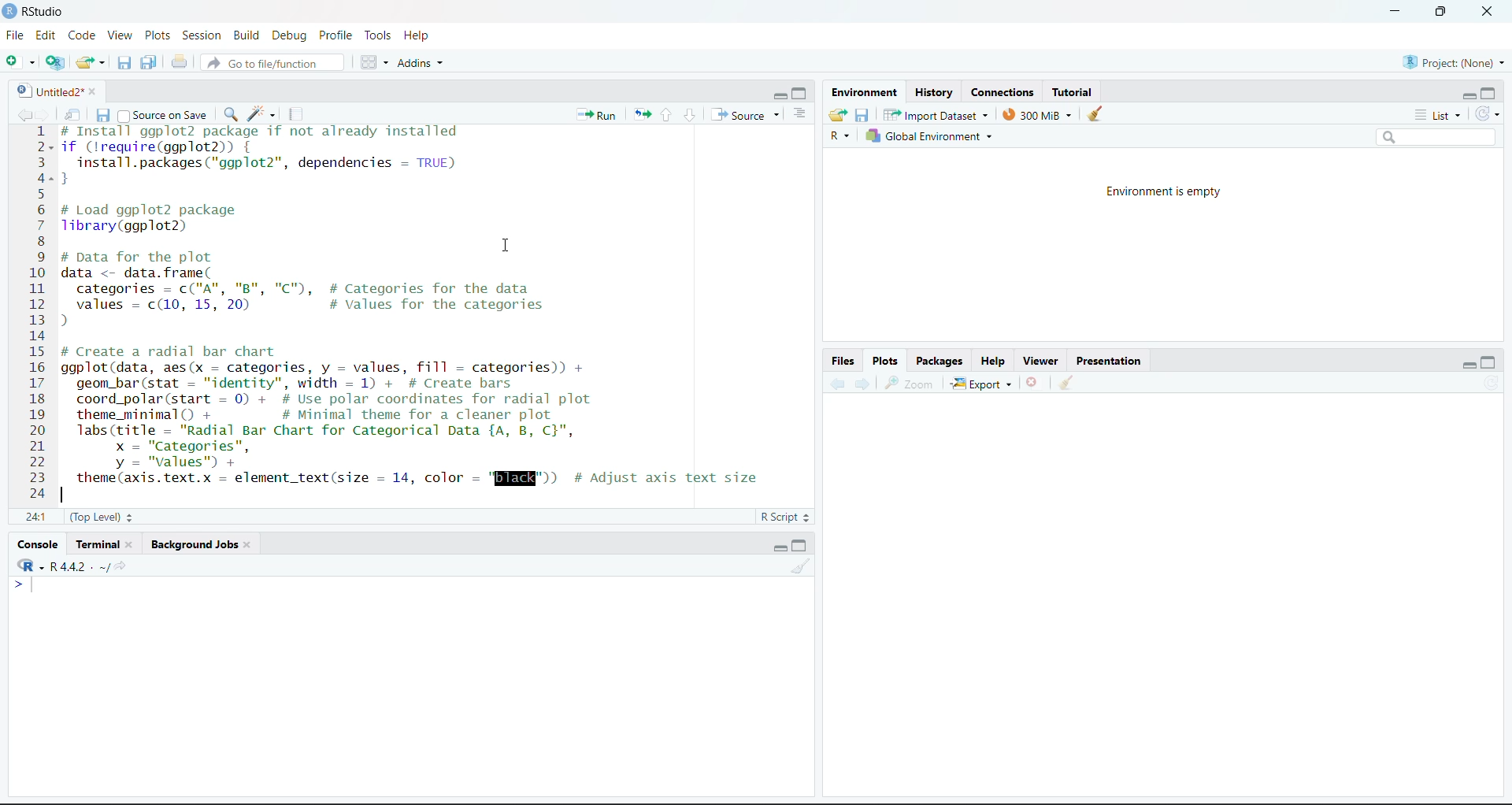 This screenshot has width=1512, height=805. Describe the element at coordinates (1043, 114) in the screenshot. I see `300MB` at that location.